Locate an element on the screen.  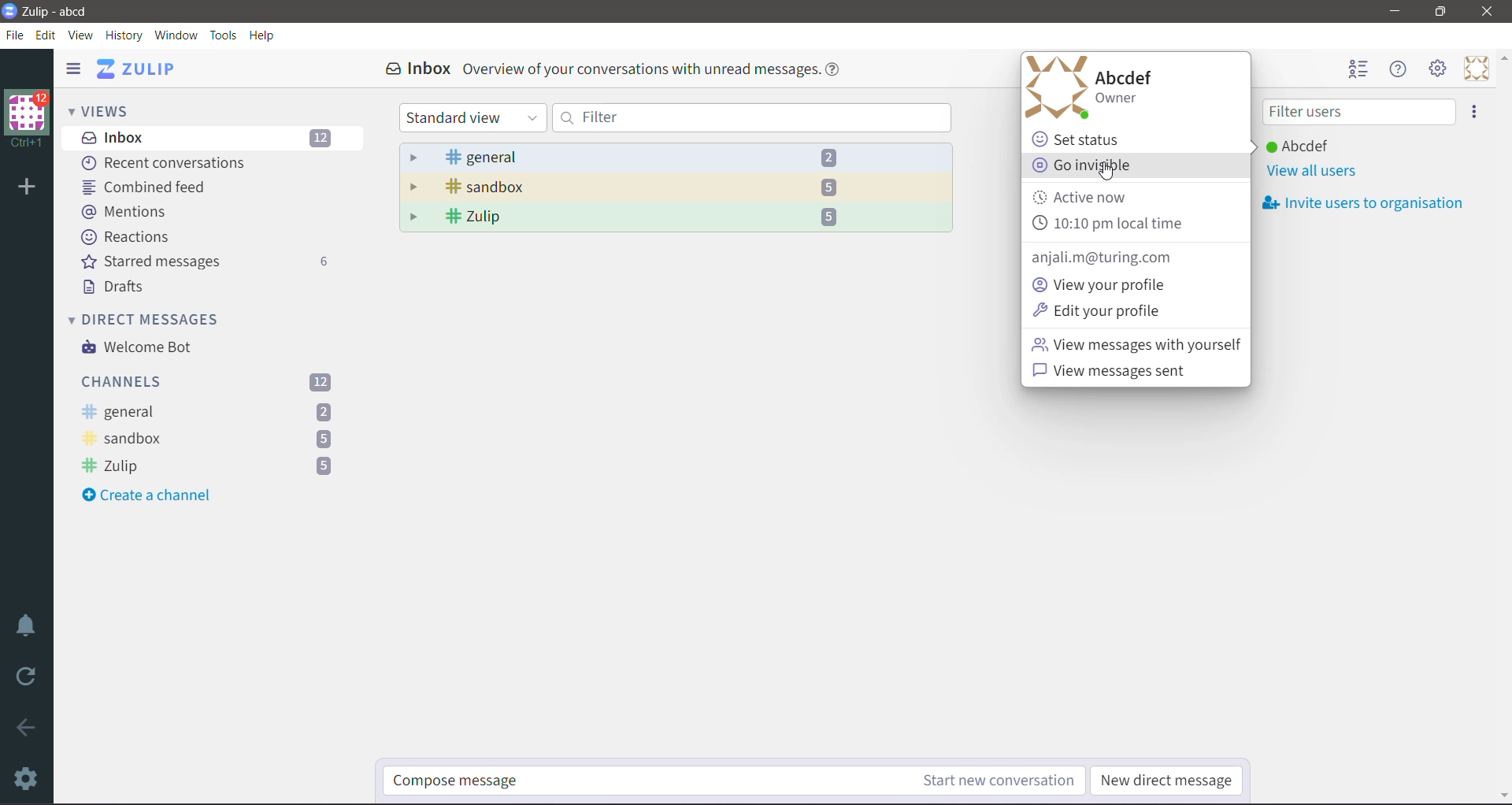
cursor is located at coordinates (1112, 173).